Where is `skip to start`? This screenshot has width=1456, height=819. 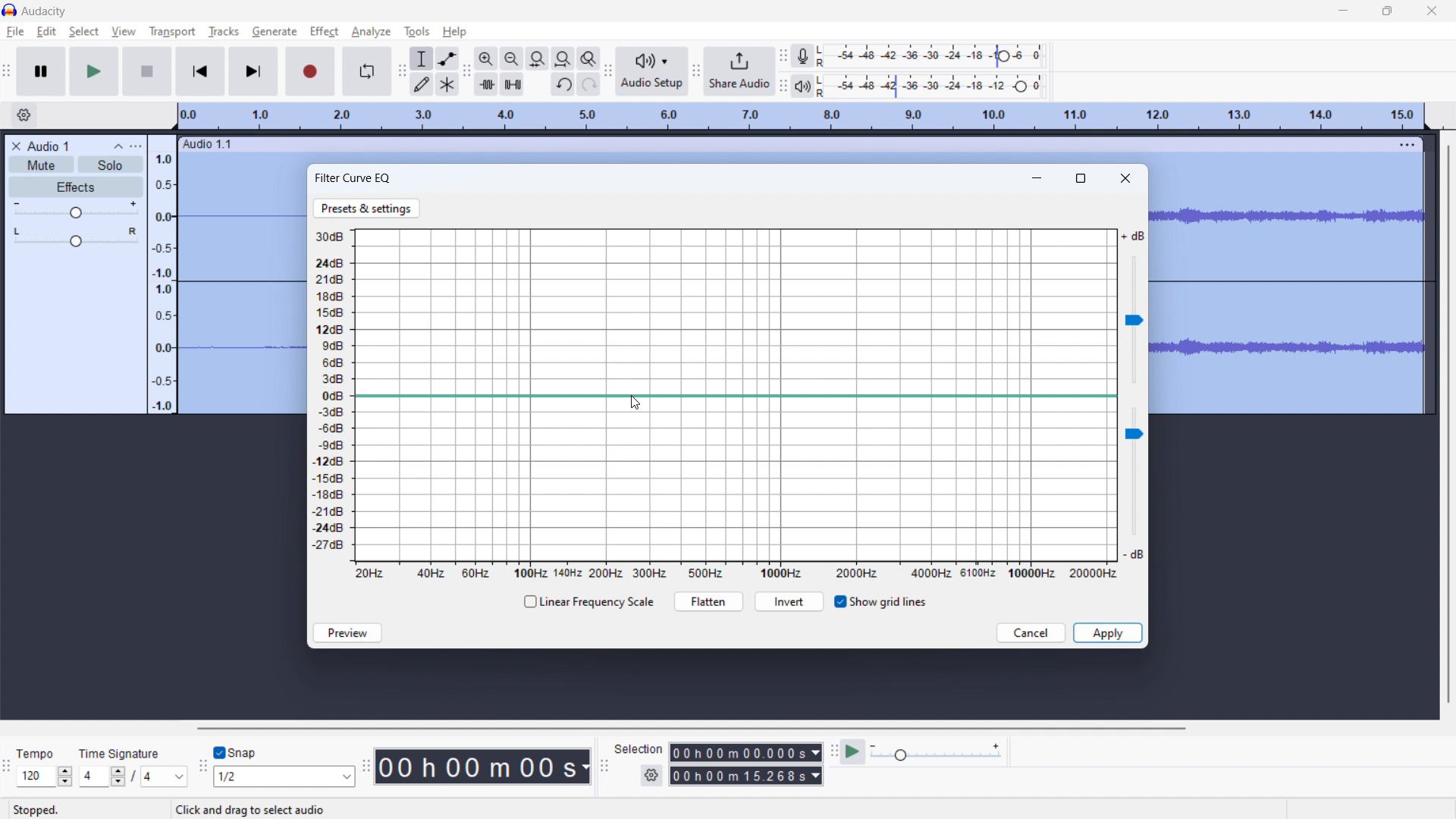 skip to start is located at coordinates (200, 71).